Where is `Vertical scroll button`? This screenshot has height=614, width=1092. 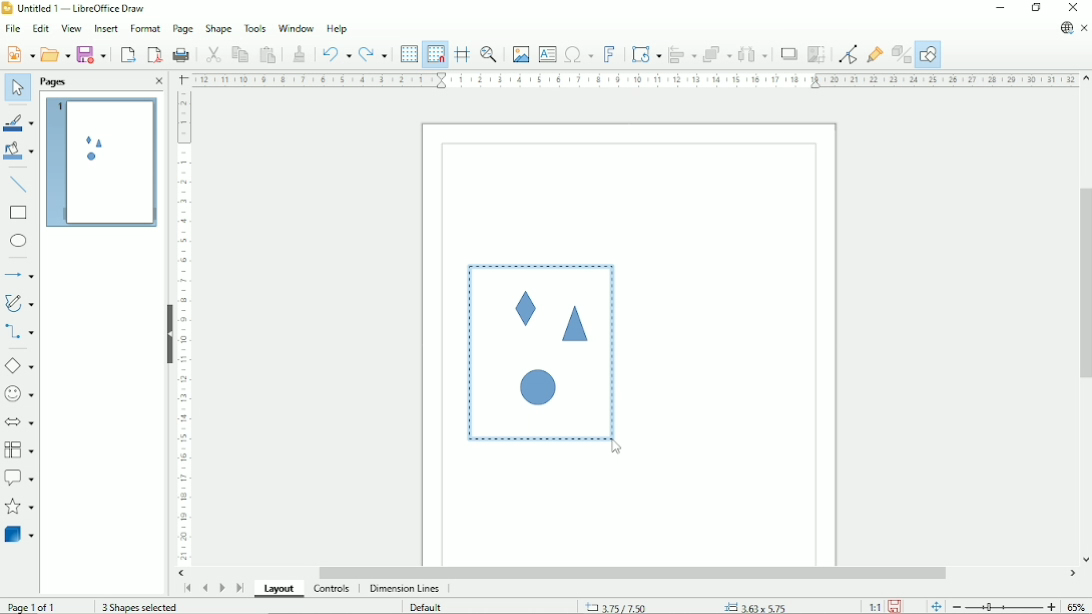
Vertical scroll button is located at coordinates (1085, 80).